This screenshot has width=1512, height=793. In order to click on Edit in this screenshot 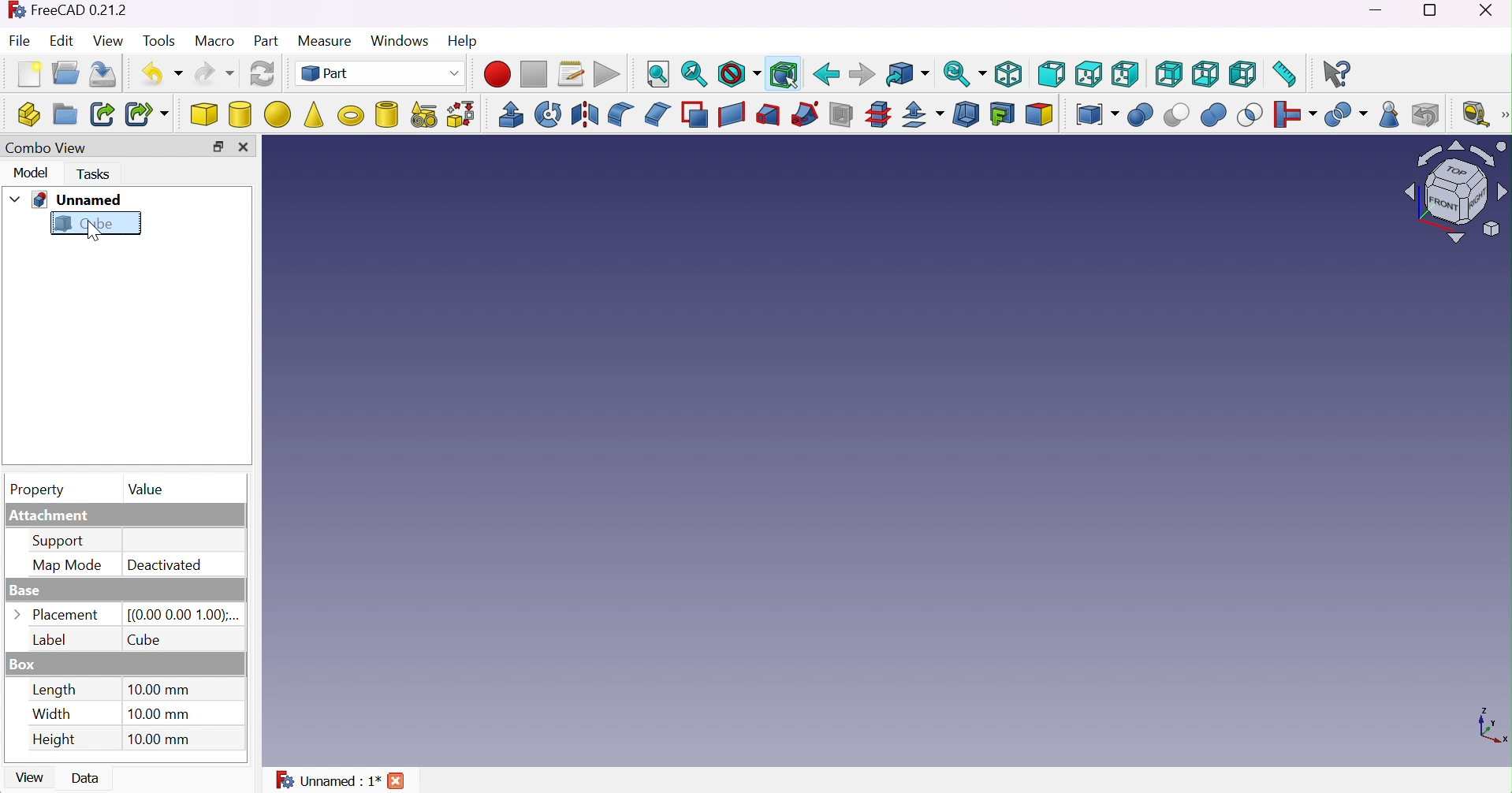, I will do `click(59, 40)`.